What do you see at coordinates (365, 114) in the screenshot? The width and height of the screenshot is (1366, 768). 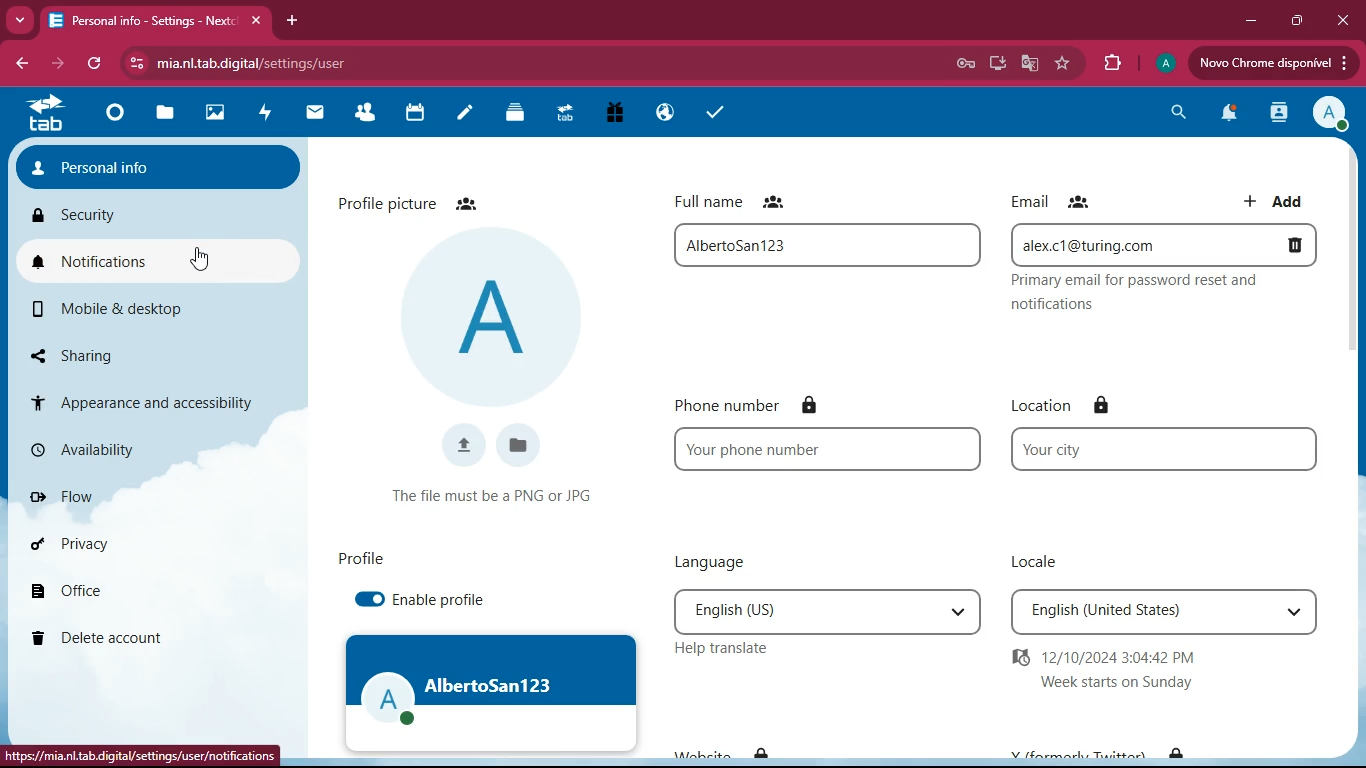 I see `friends` at bounding box center [365, 114].